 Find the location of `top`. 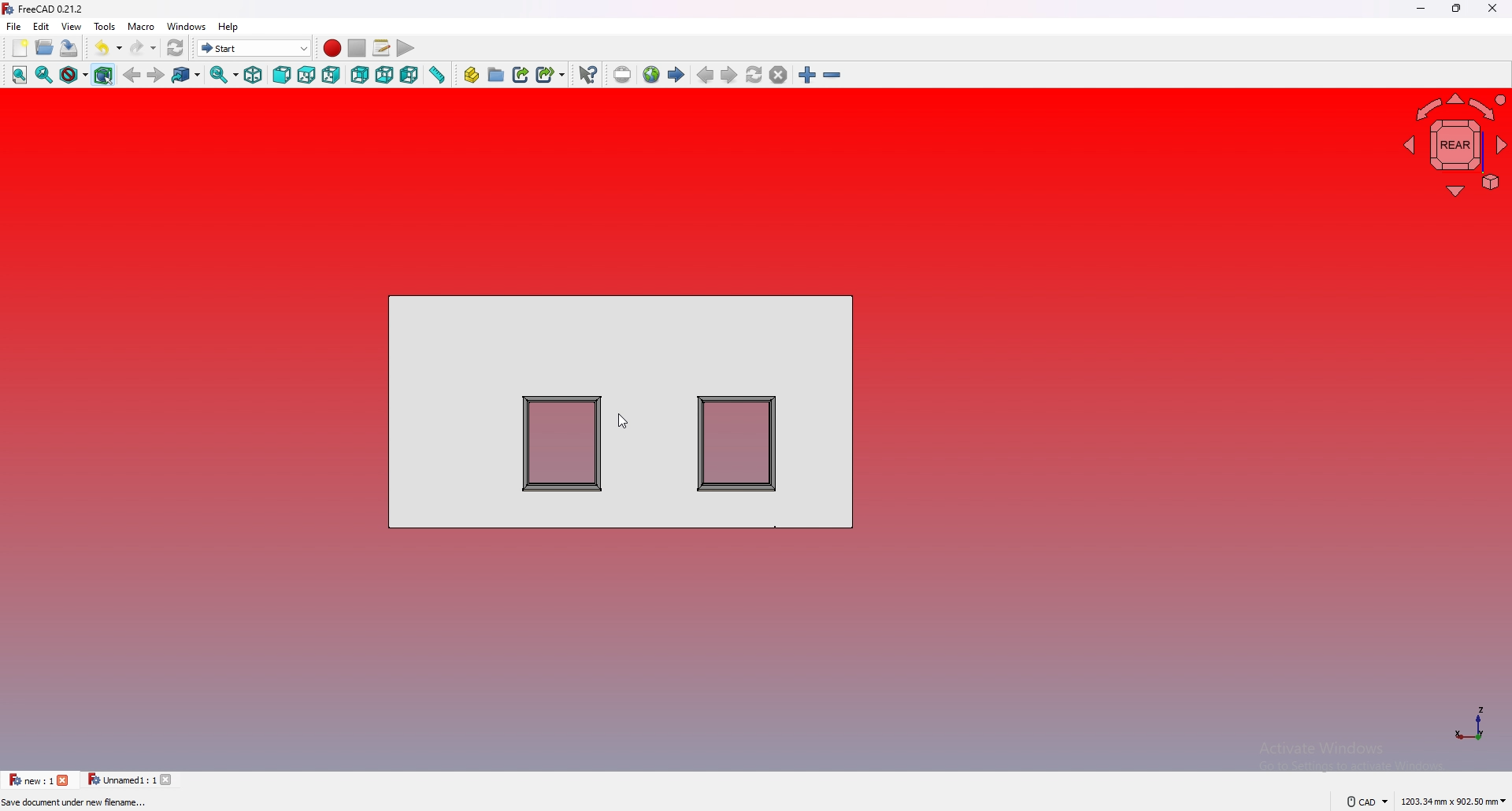

top is located at coordinates (306, 75).